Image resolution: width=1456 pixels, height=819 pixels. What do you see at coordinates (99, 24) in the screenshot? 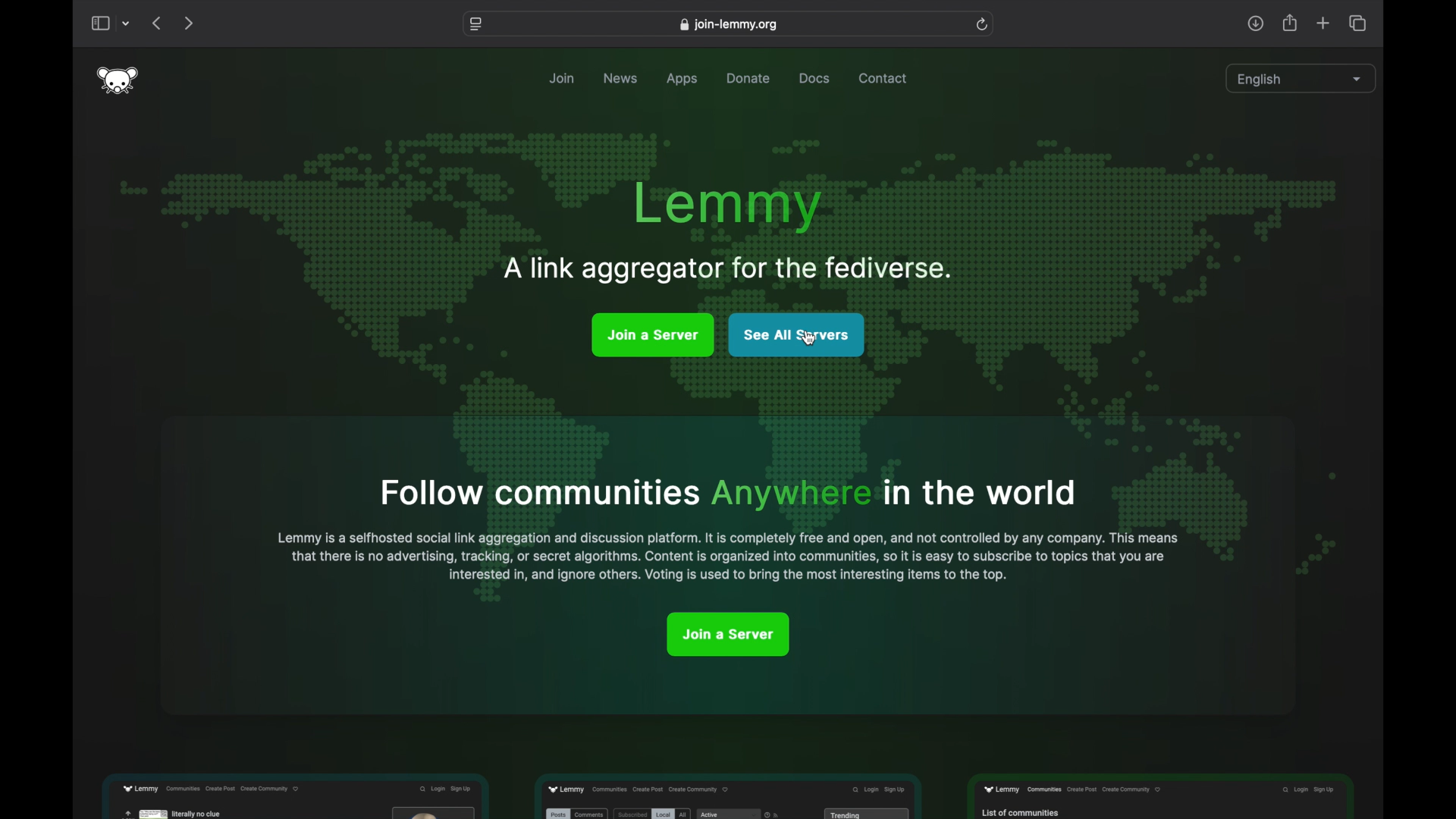
I see `show sidebar` at bounding box center [99, 24].